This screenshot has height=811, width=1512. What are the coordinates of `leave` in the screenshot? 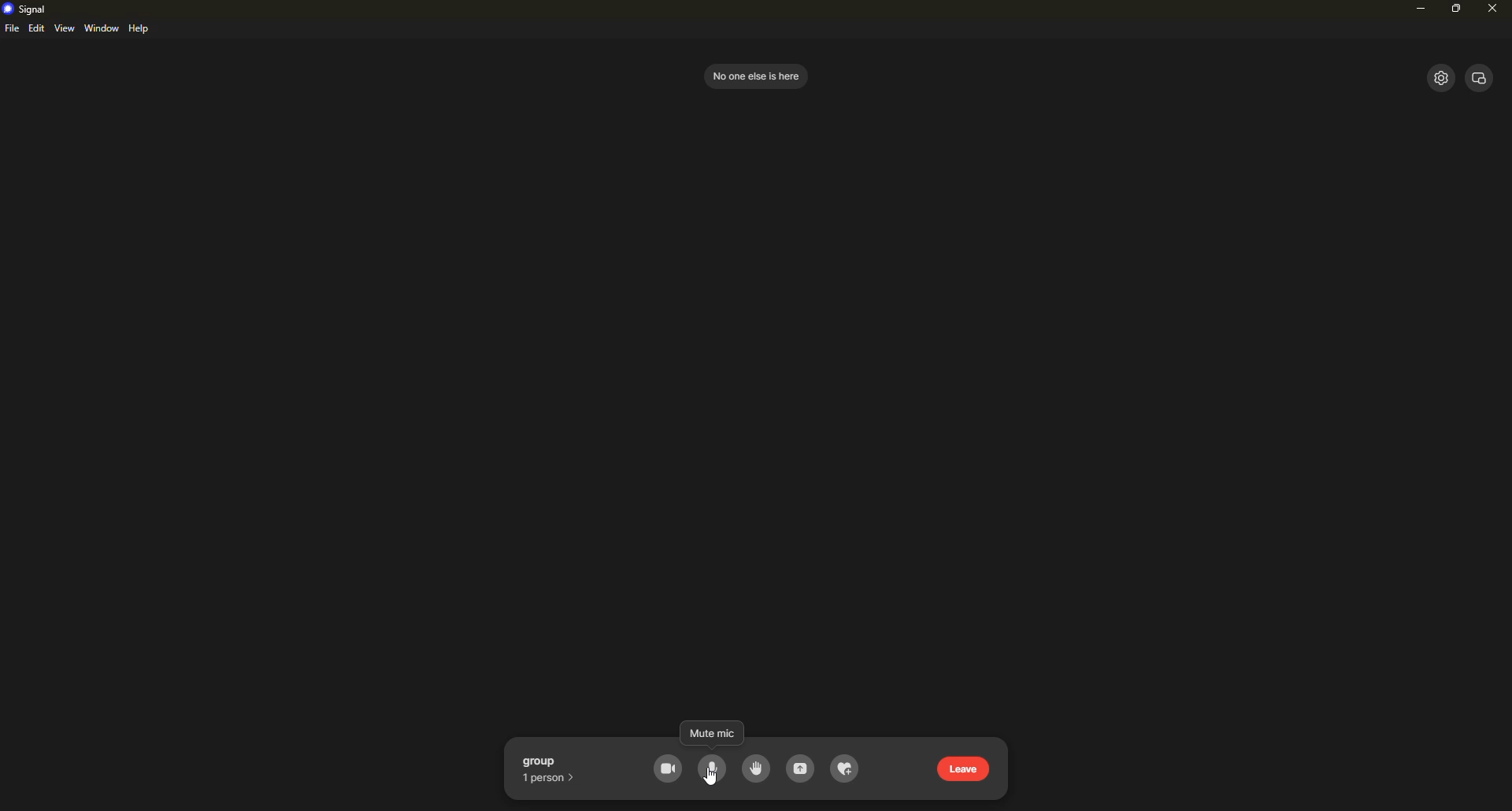 It's located at (966, 768).